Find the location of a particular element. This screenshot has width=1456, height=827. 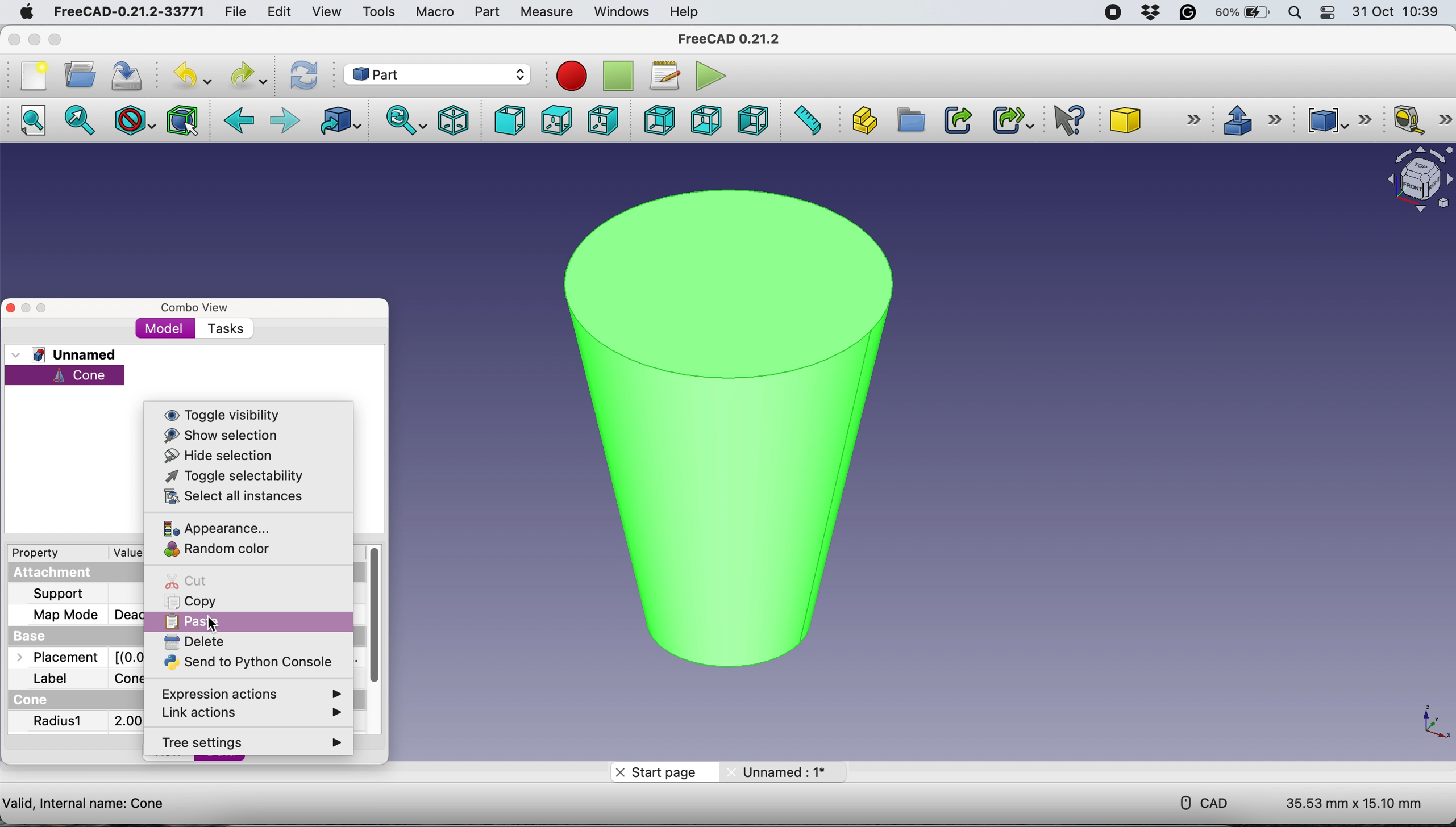

front is located at coordinates (507, 121).